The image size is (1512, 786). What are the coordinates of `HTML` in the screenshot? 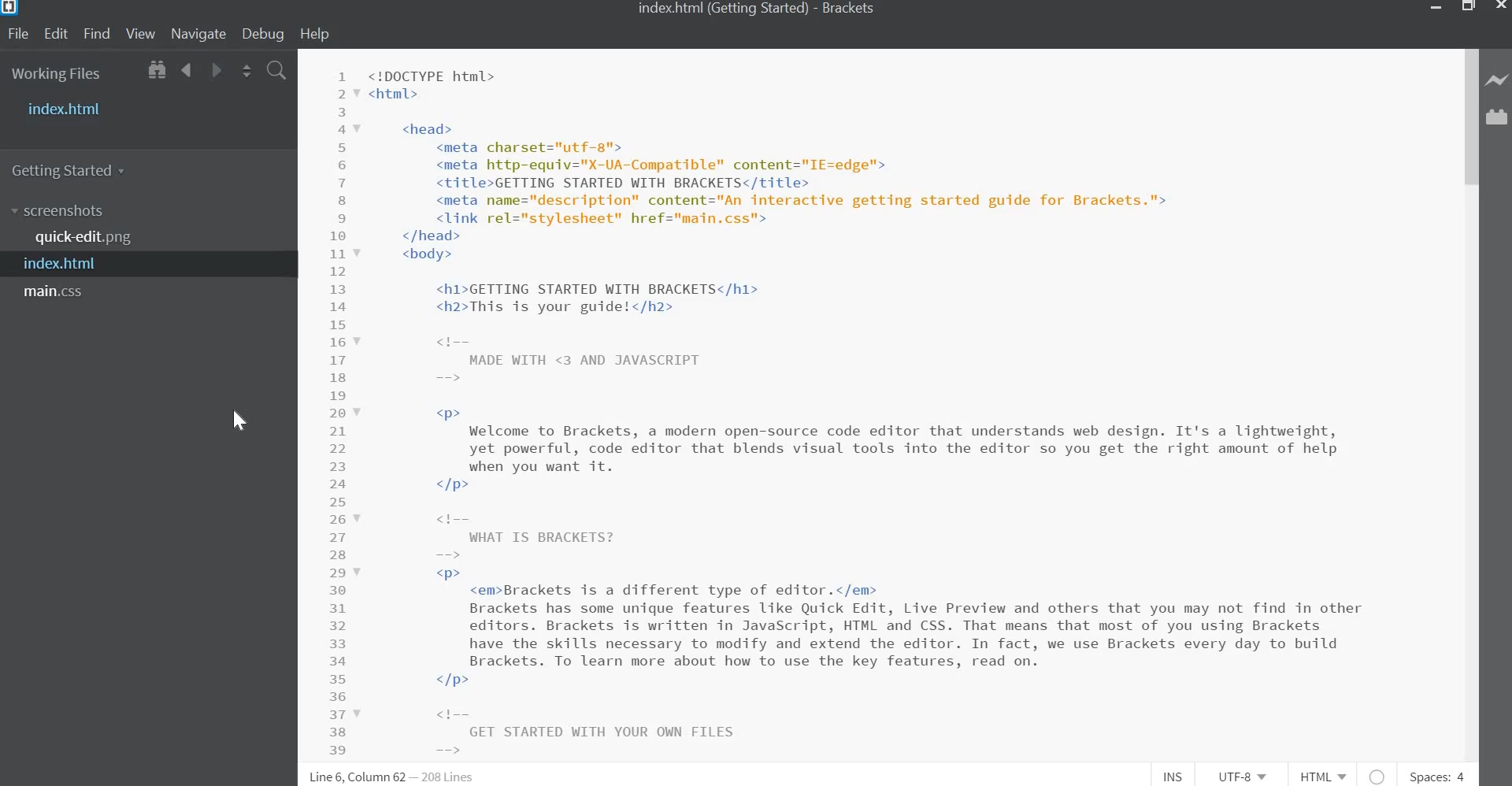 It's located at (1325, 777).